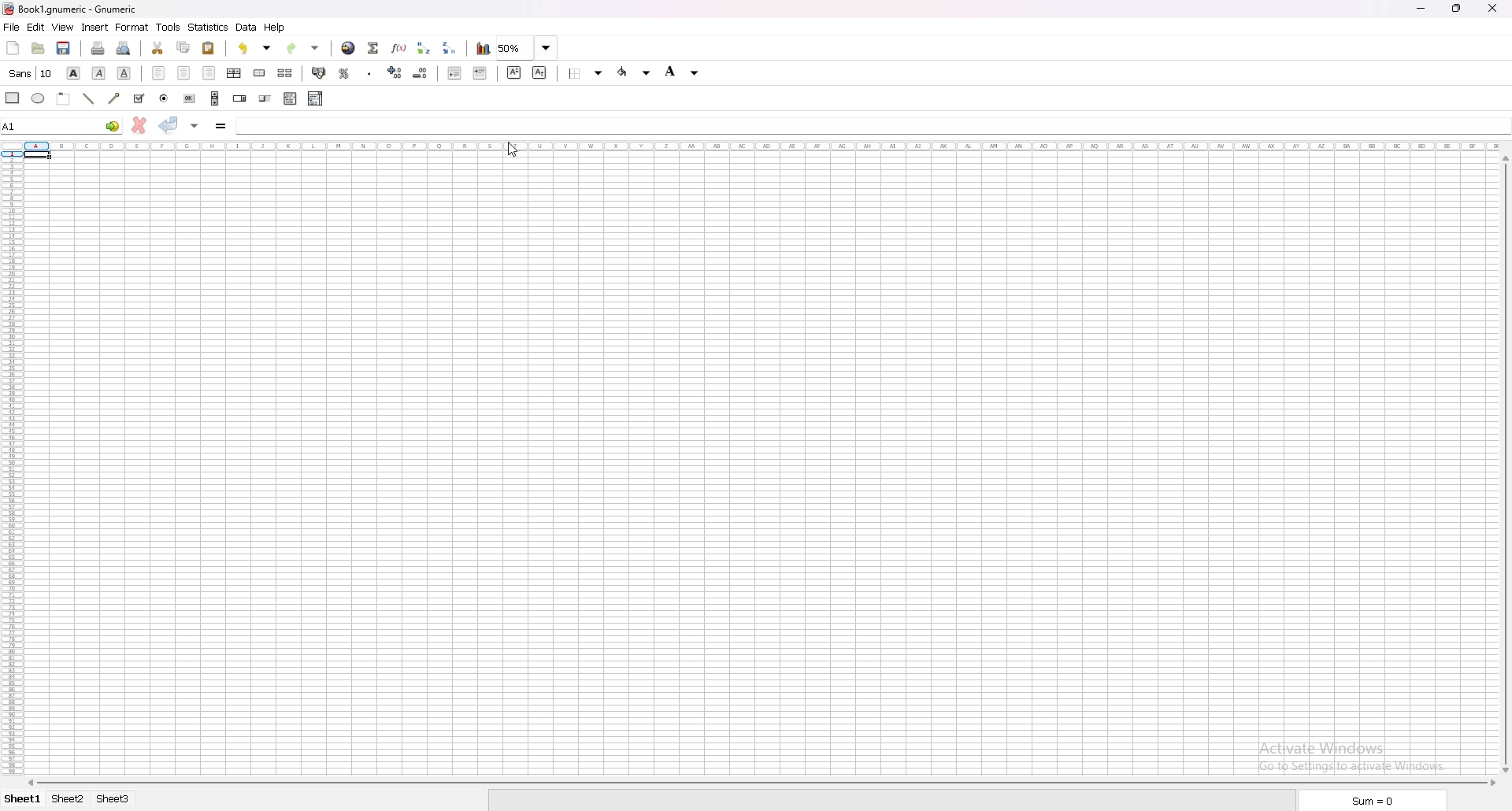 The height and width of the screenshot is (811, 1512). Describe the element at coordinates (98, 48) in the screenshot. I see `print` at that location.